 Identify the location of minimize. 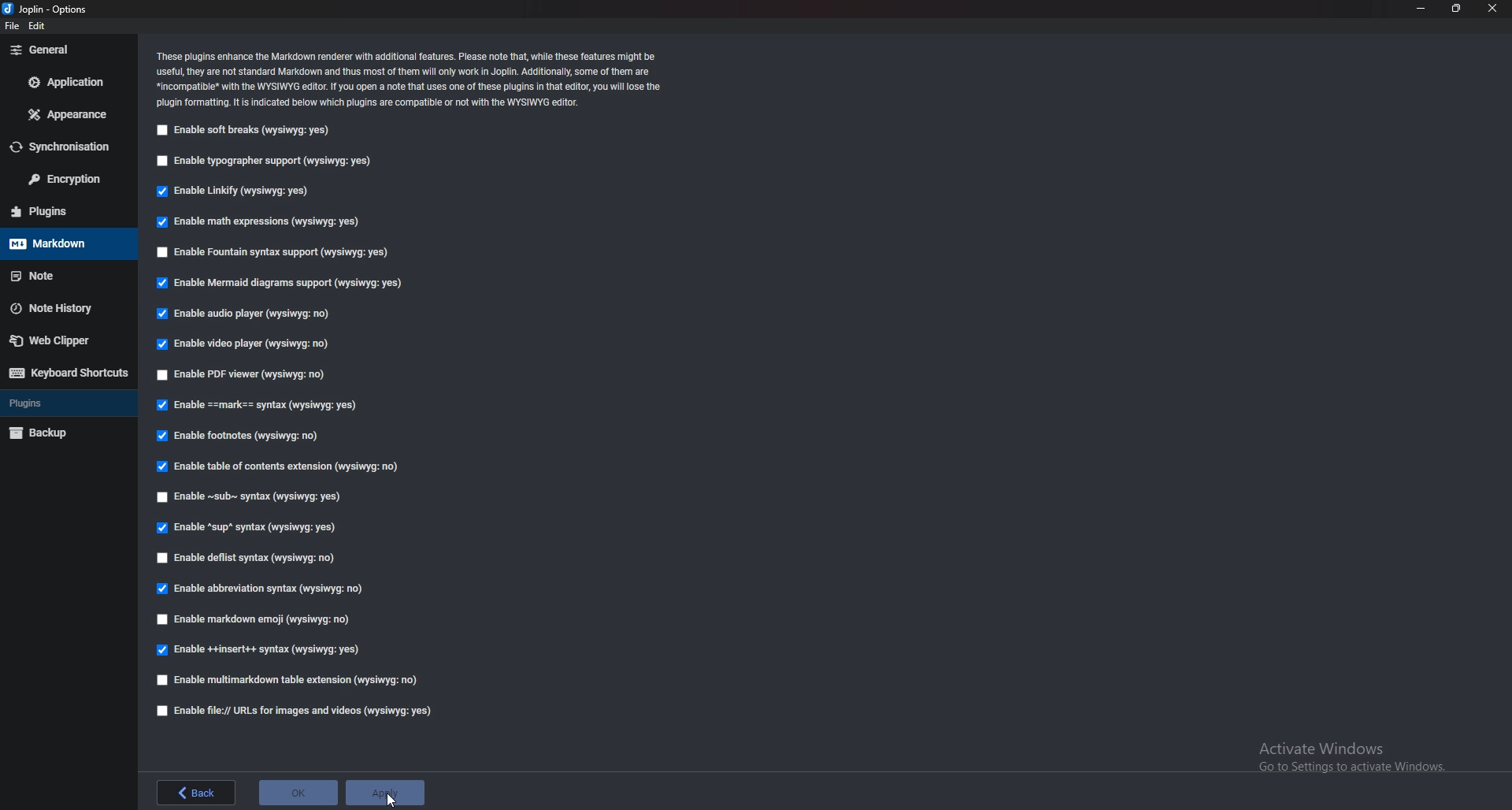
(1423, 8).